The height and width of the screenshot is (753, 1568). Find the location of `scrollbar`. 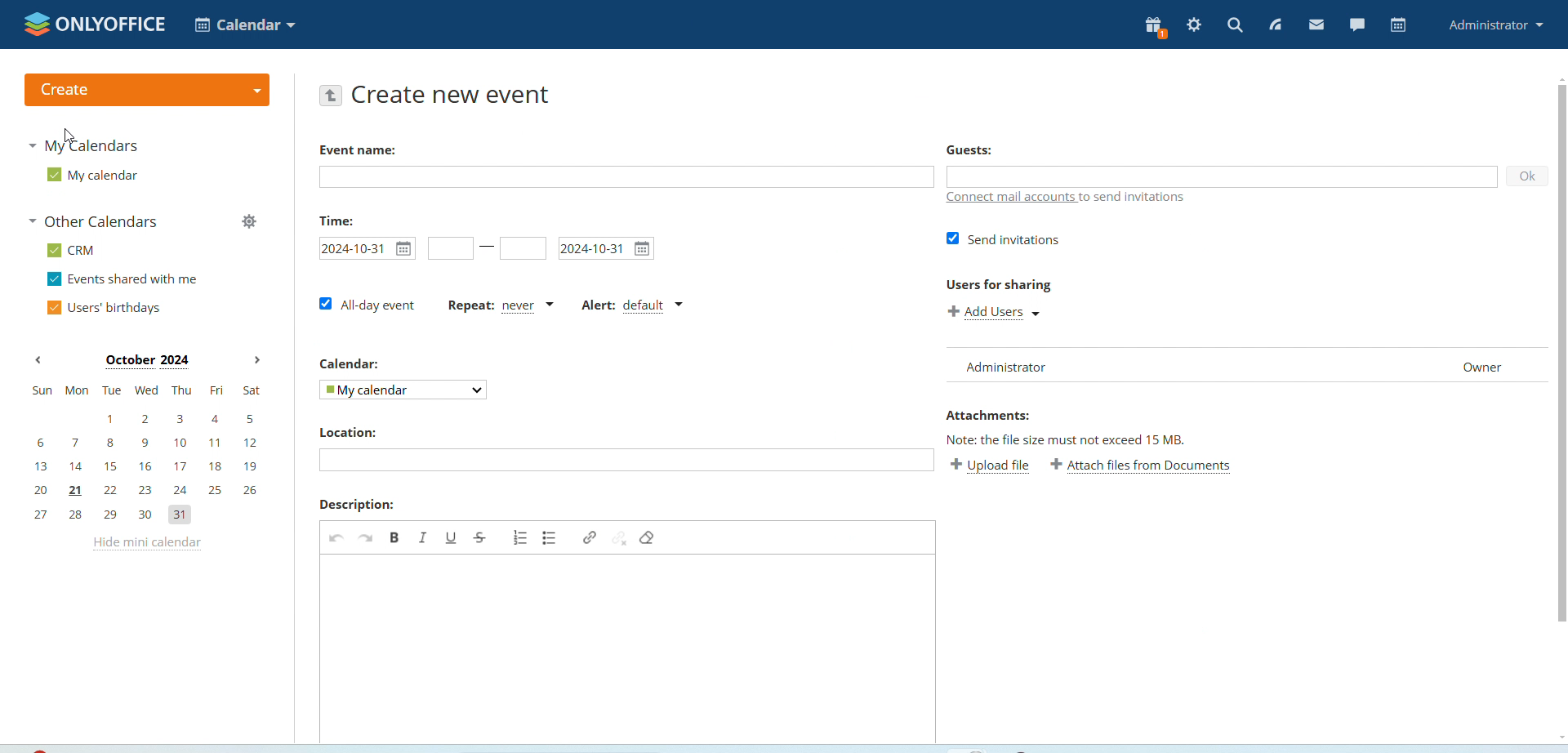

scrollbar is located at coordinates (1561, 352).